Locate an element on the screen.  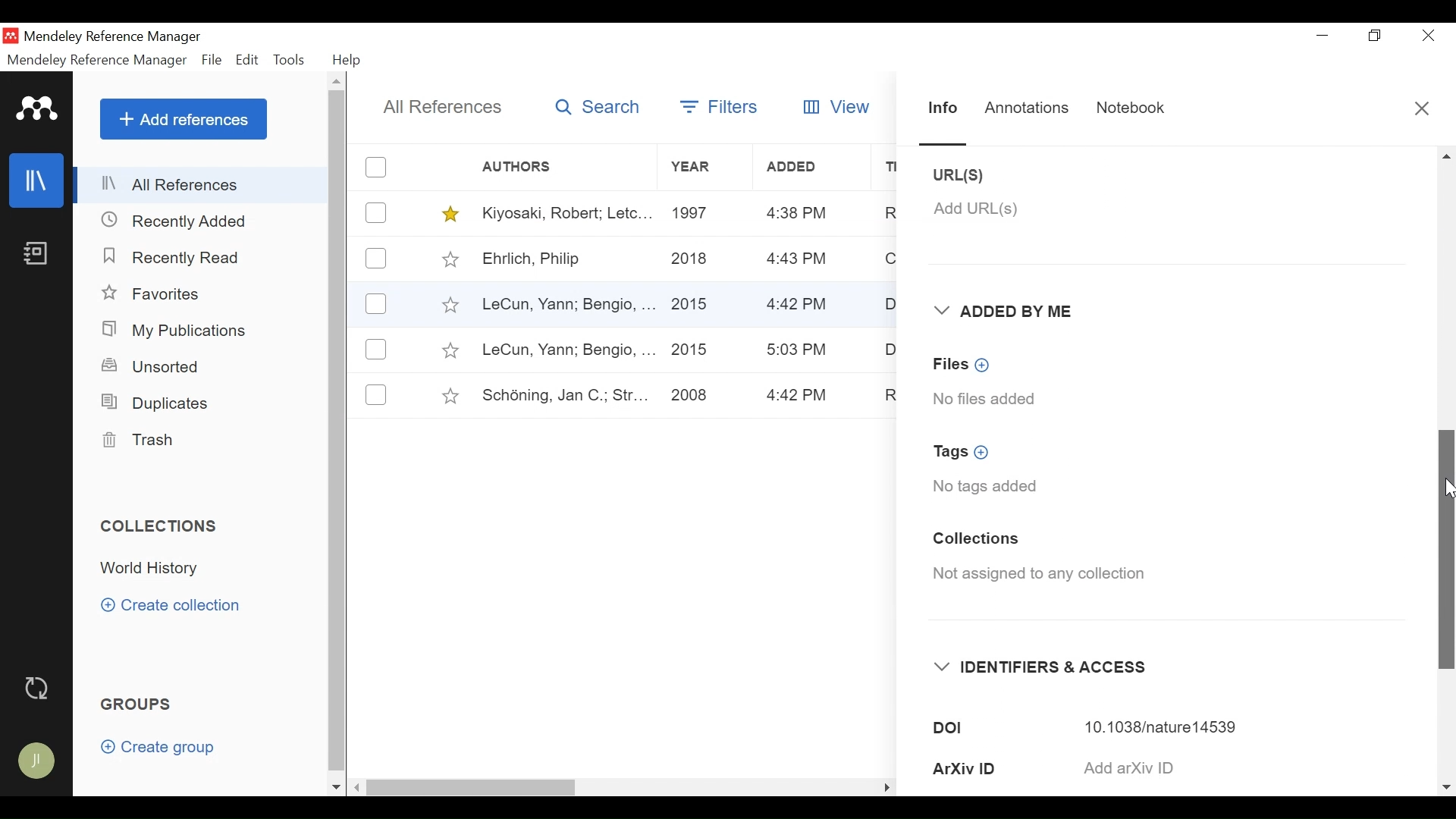
4:42 PM is located at coordinates (799, 306).